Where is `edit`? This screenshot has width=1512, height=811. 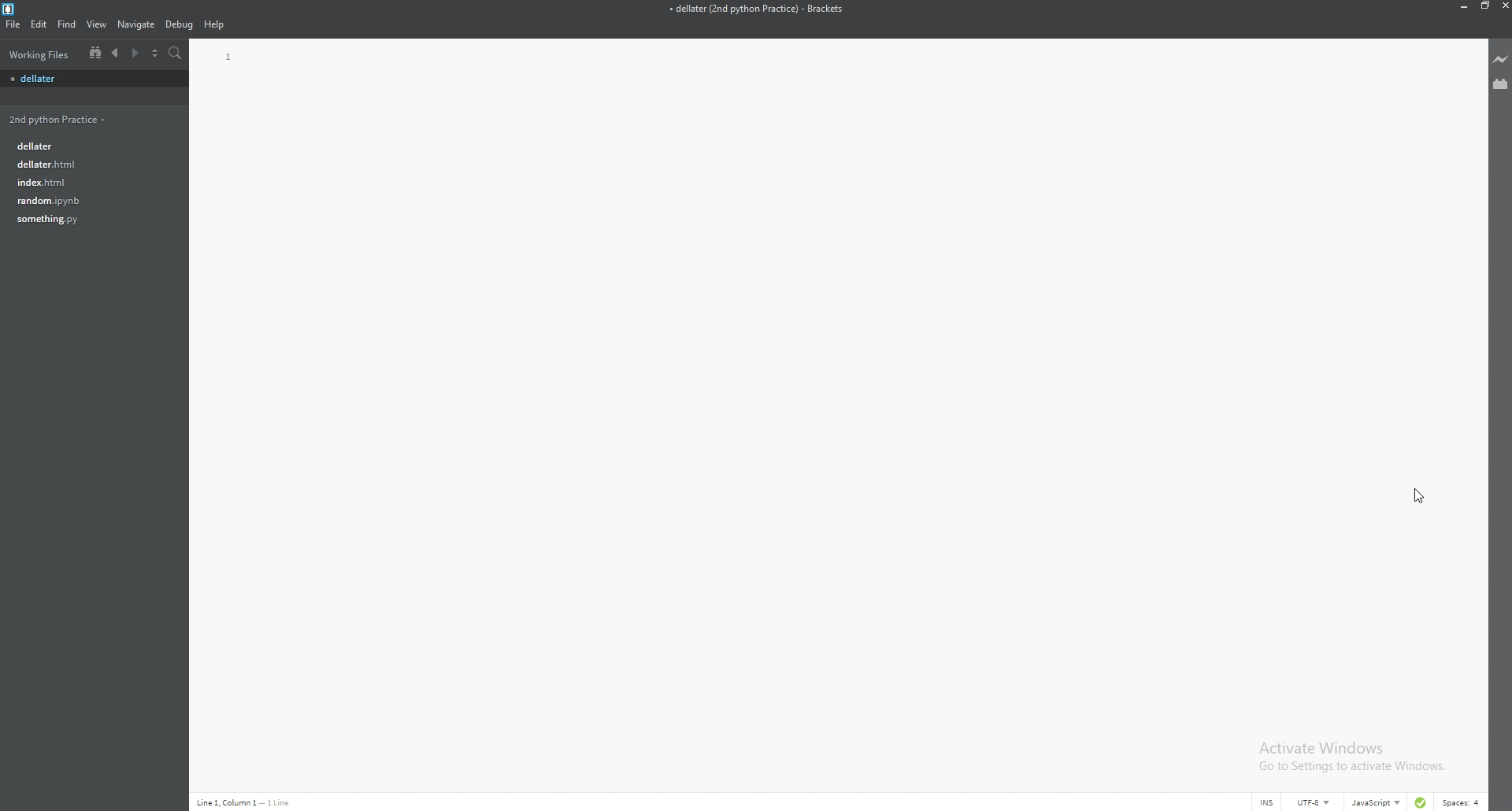
edit is located at coordinates (38, 24).